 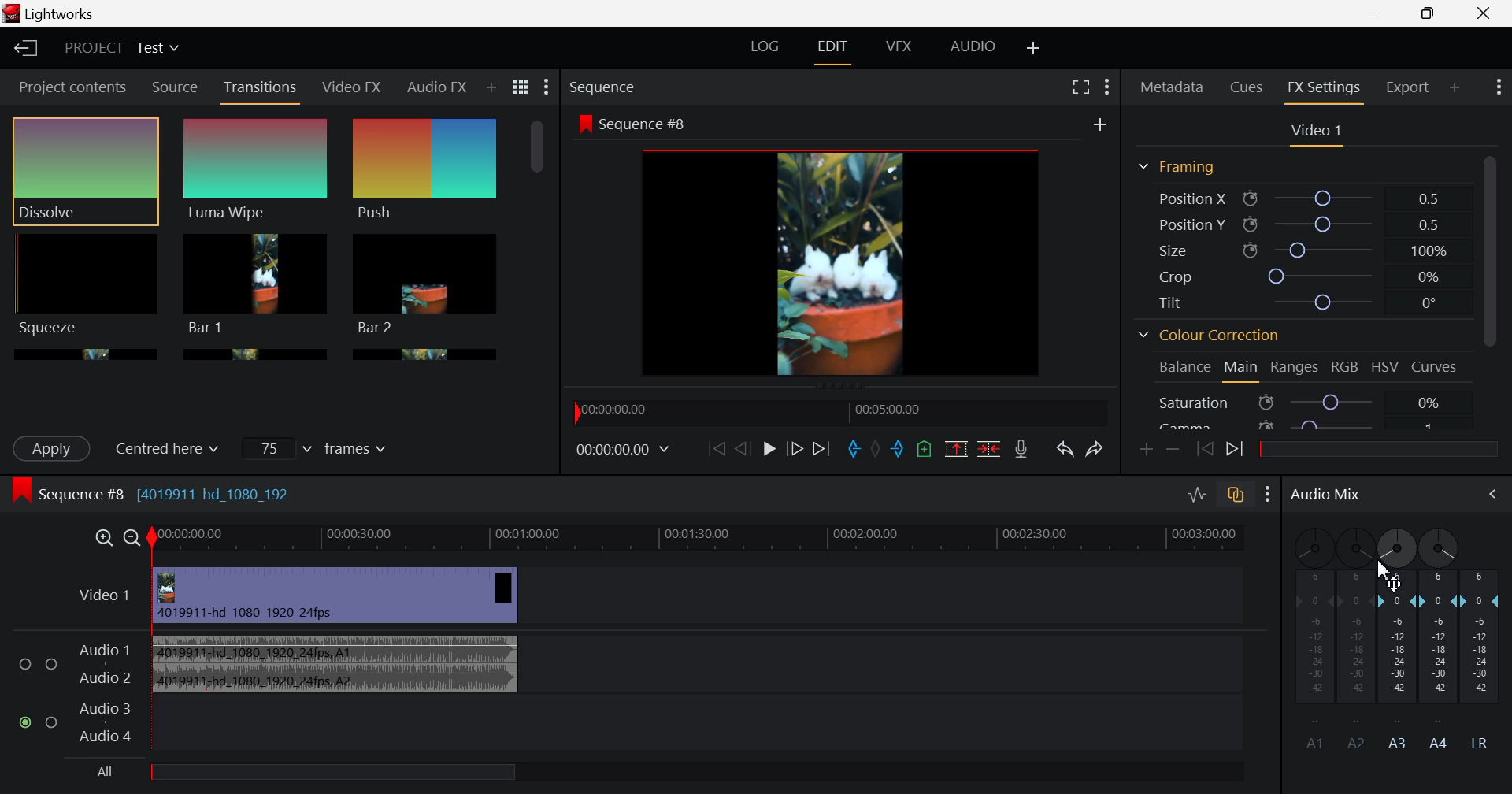 I want to click on Dissolve, so click(x=85, y=172).